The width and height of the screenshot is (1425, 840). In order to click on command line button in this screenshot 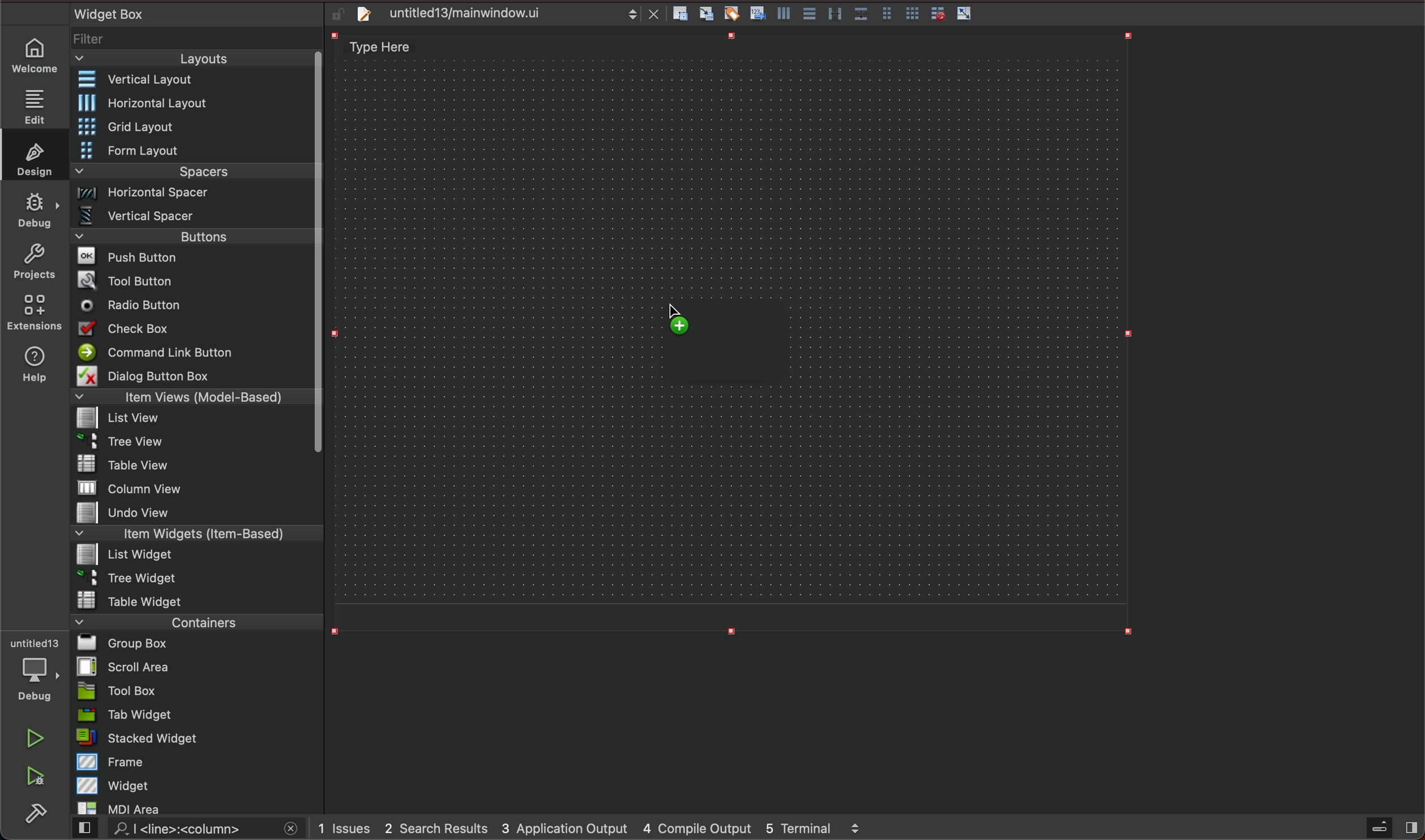, I will do `click(191, 352)`.